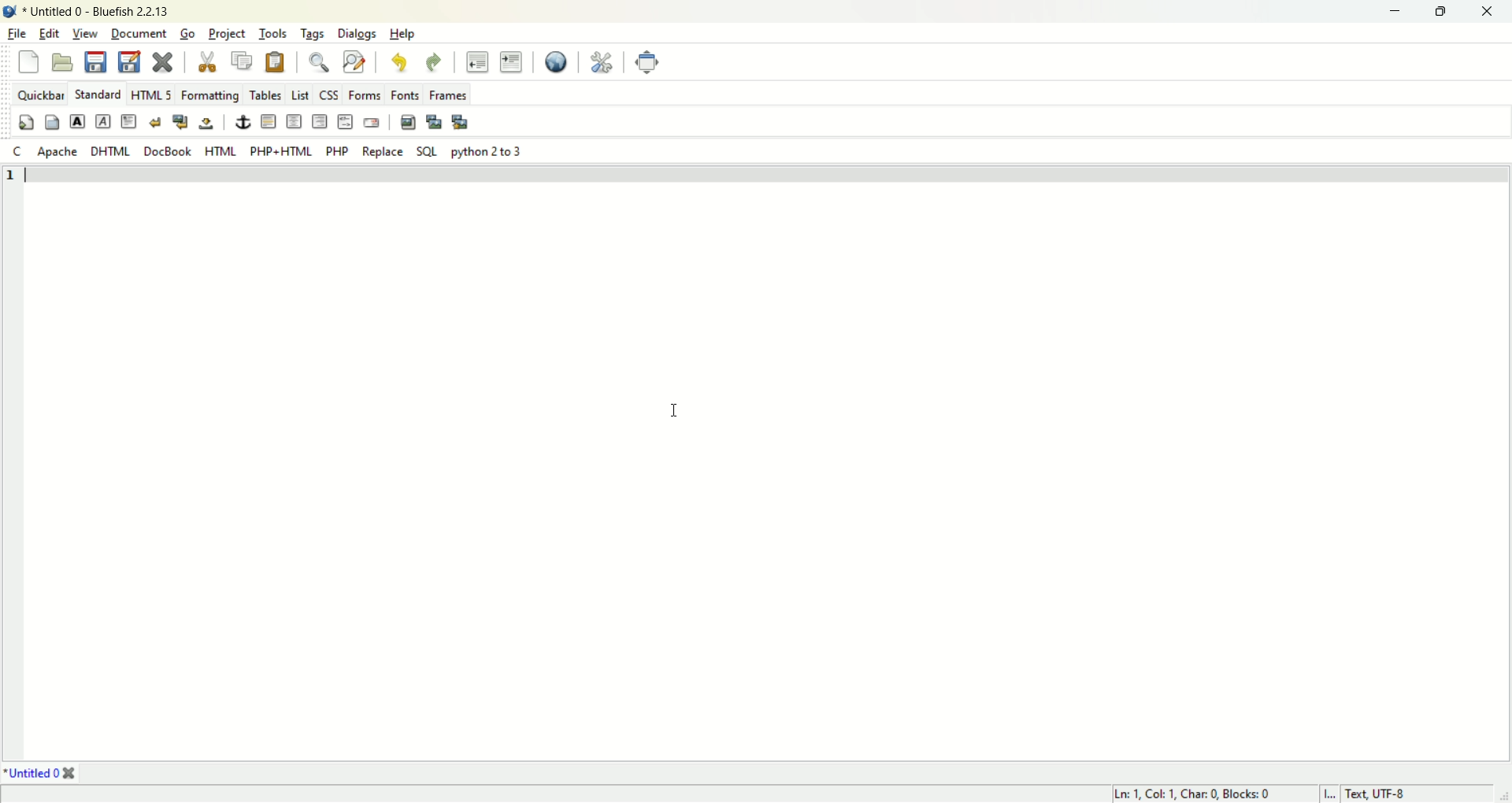 This screenshot has width=1512, height=803. What do you see at coordinates (130, 122) in the screenshot?
I see `paragraph` at bounding box center [130, 122].